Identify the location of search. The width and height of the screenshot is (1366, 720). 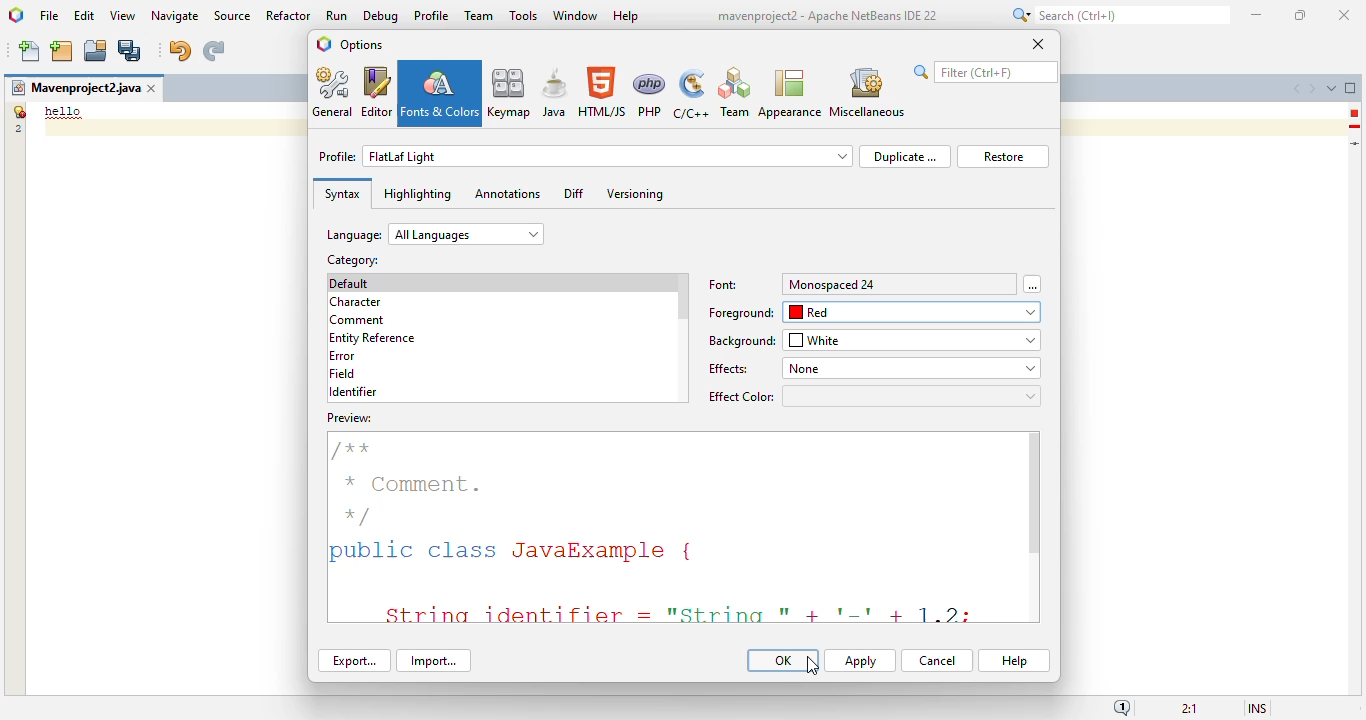
(985, 72).